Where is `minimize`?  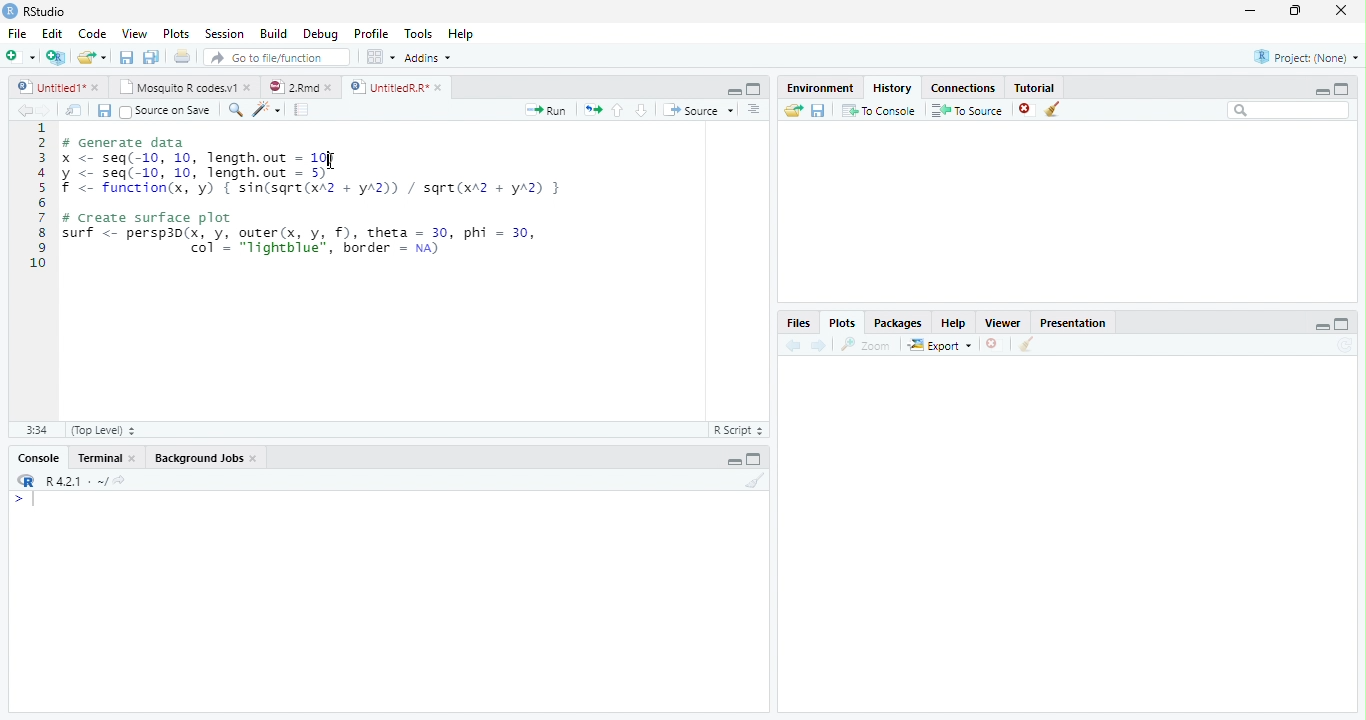 minimize is located at coordinates (1322, 327).